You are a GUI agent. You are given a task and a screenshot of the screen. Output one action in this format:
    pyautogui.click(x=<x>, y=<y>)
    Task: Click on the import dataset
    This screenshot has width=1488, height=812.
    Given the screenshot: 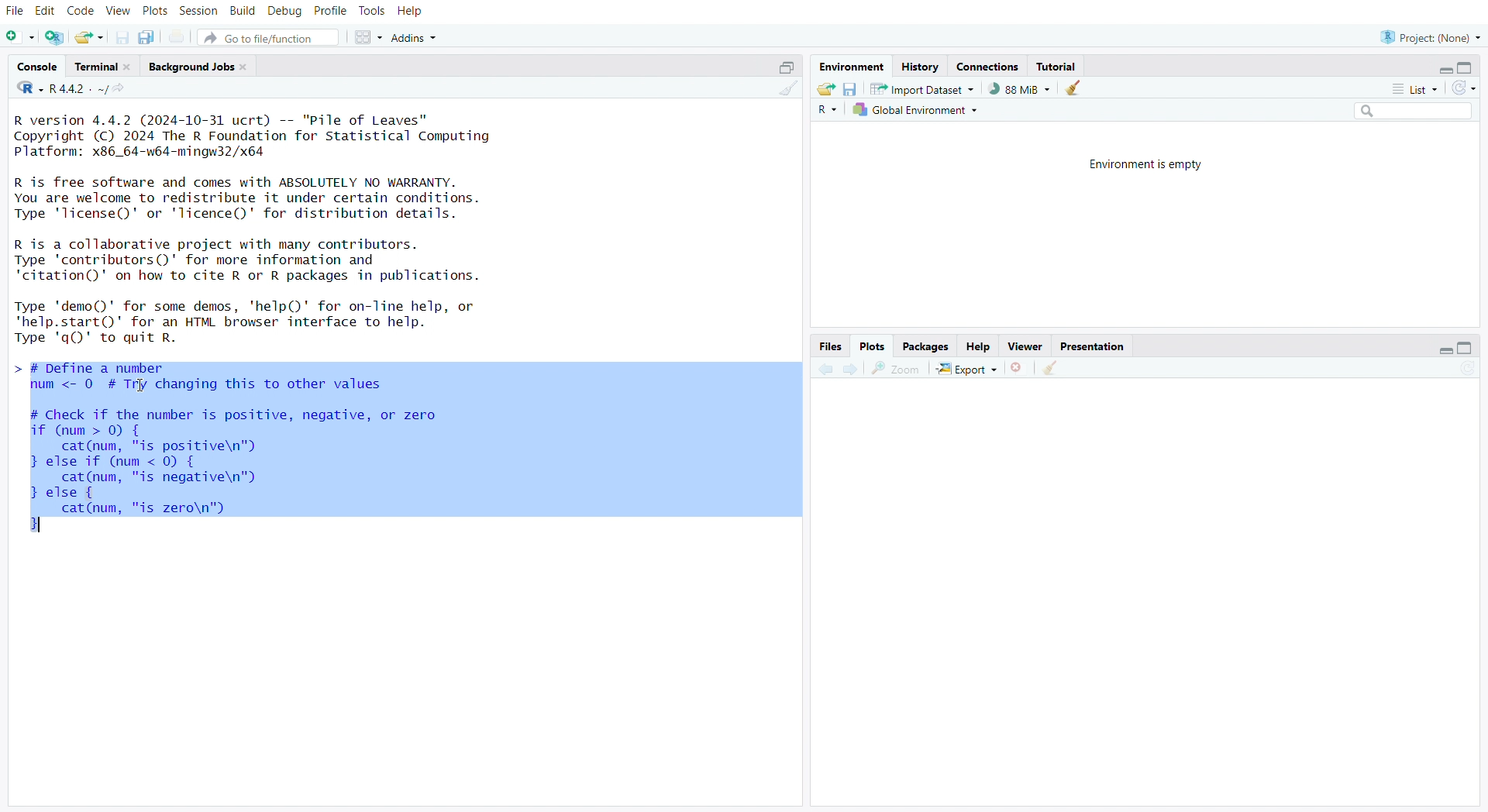 What is the action you would take?
    pyautogui.click(x=921, y=89)
    